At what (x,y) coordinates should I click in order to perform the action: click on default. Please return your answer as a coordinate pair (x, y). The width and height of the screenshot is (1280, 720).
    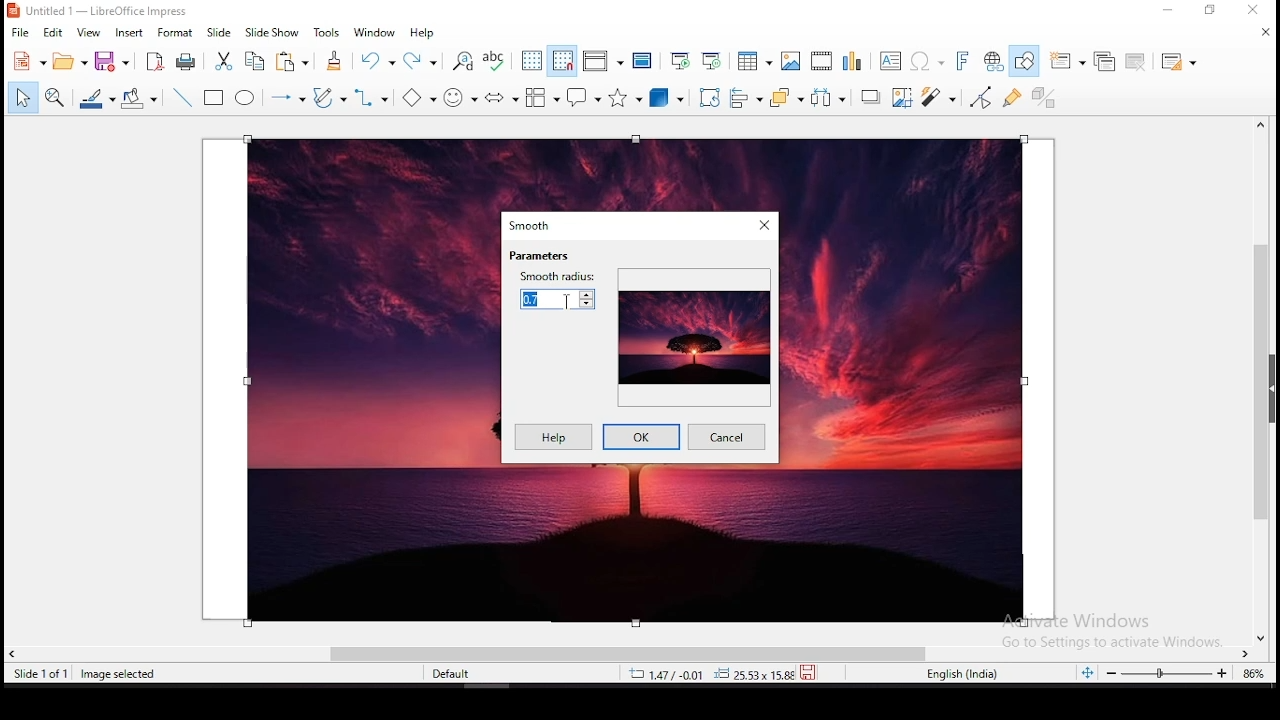
    Looking at the image, I should click on (457, 677).